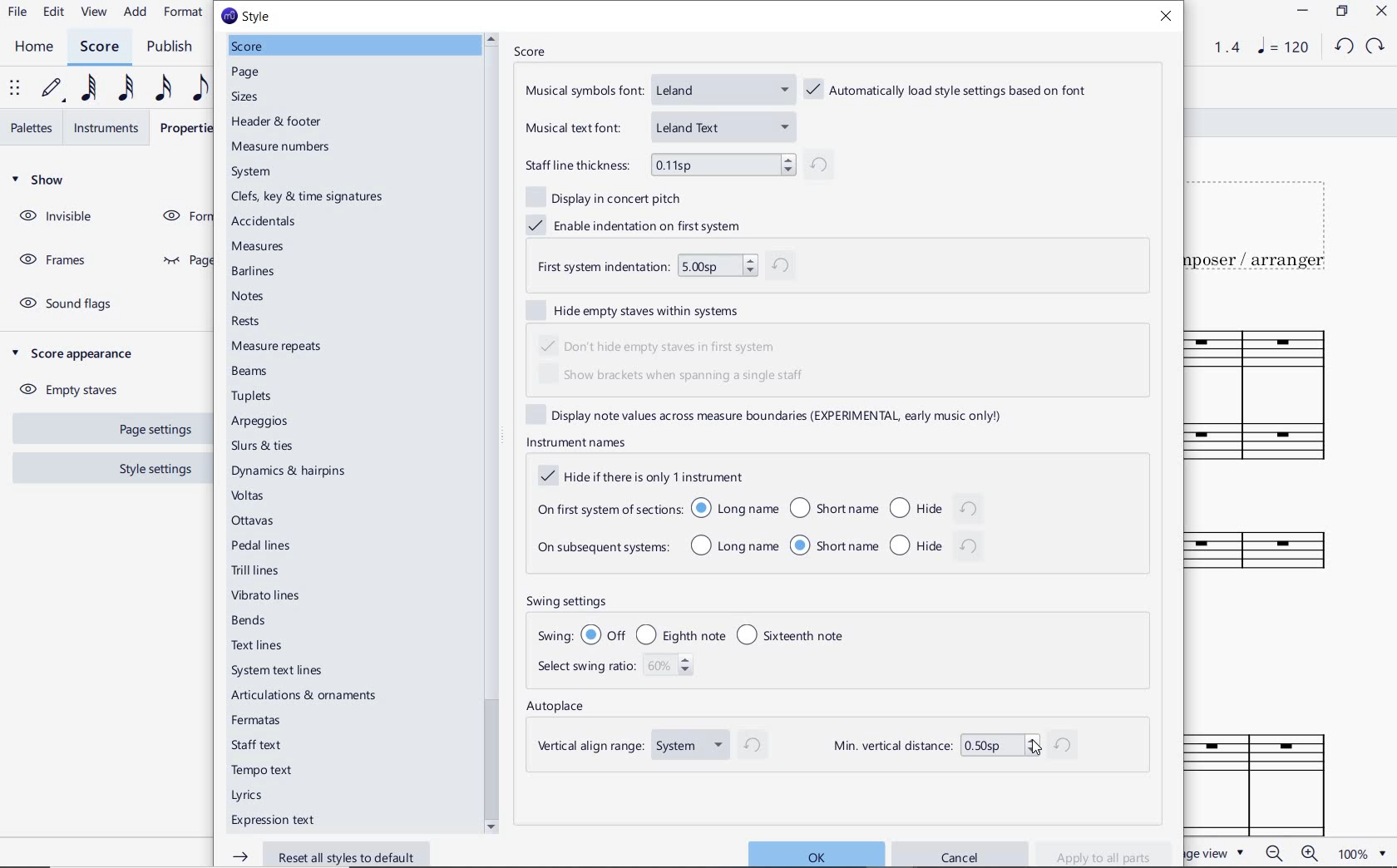 The width and height of the screenshot is (1397, 868). I want to click on CLOSE, so click(1380, 12).